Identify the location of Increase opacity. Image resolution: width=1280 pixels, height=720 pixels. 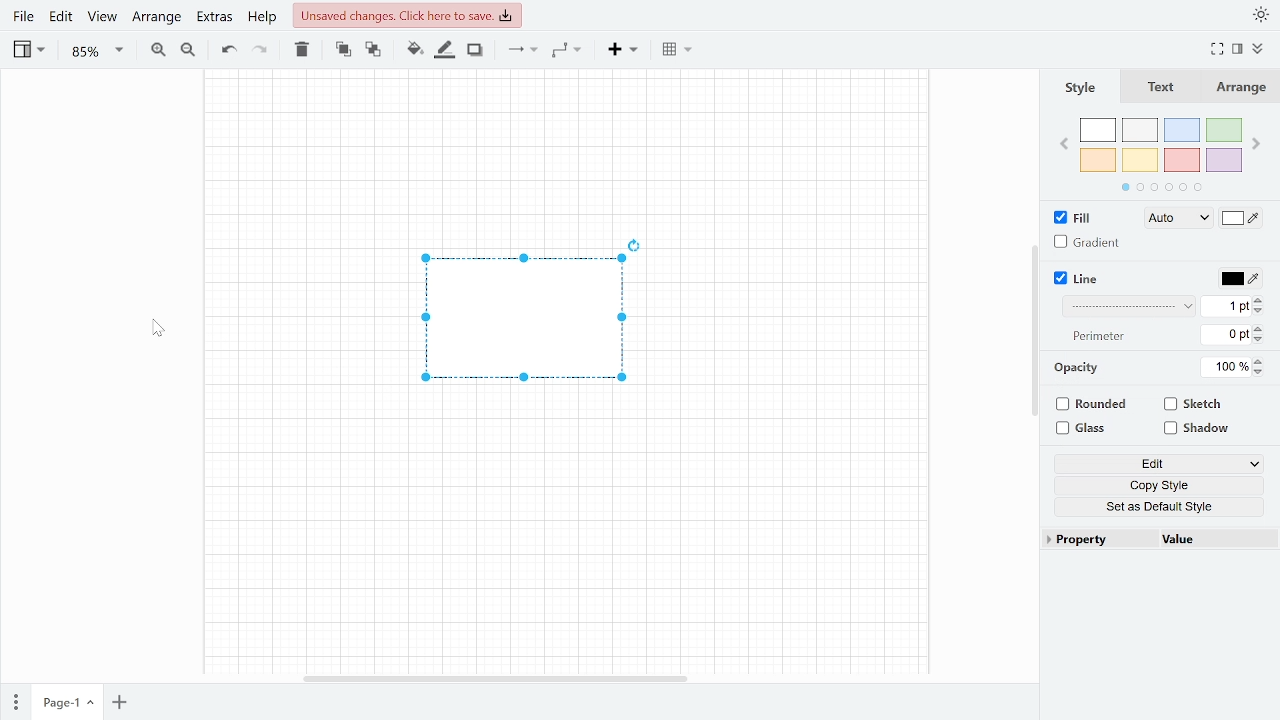
(1263, 360).